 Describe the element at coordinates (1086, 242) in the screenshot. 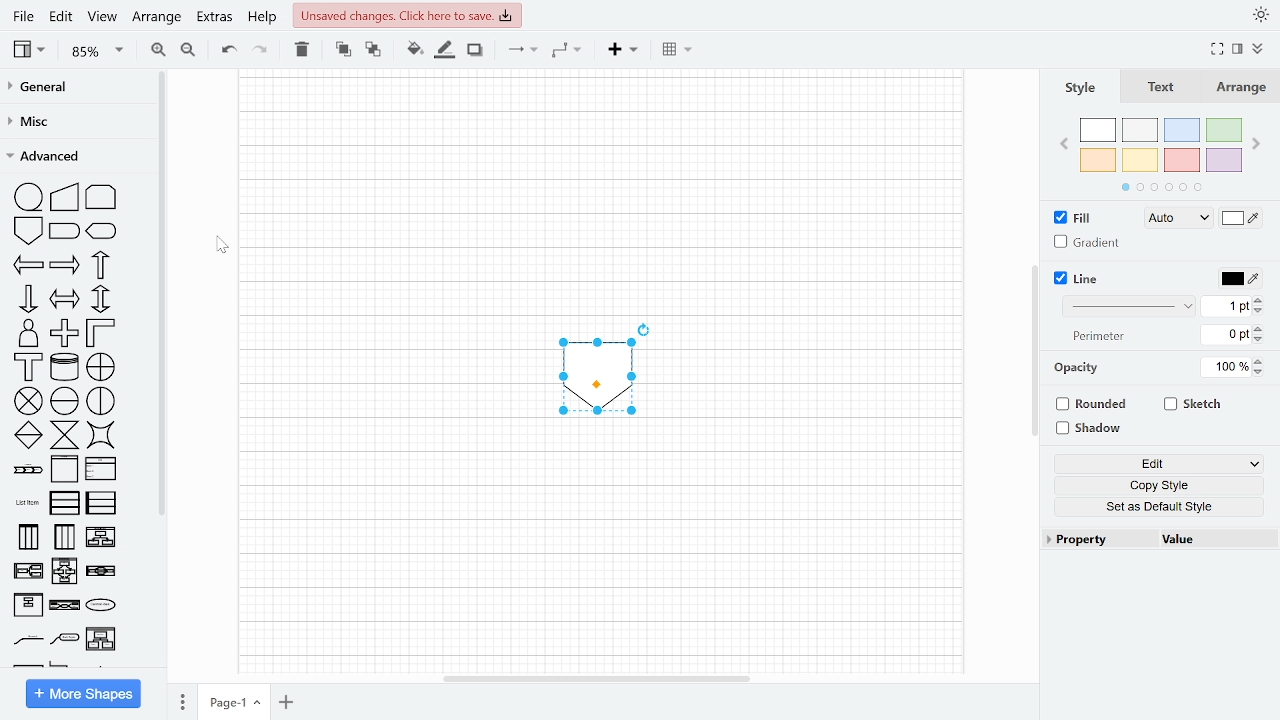

I see `Gradient` at that location.